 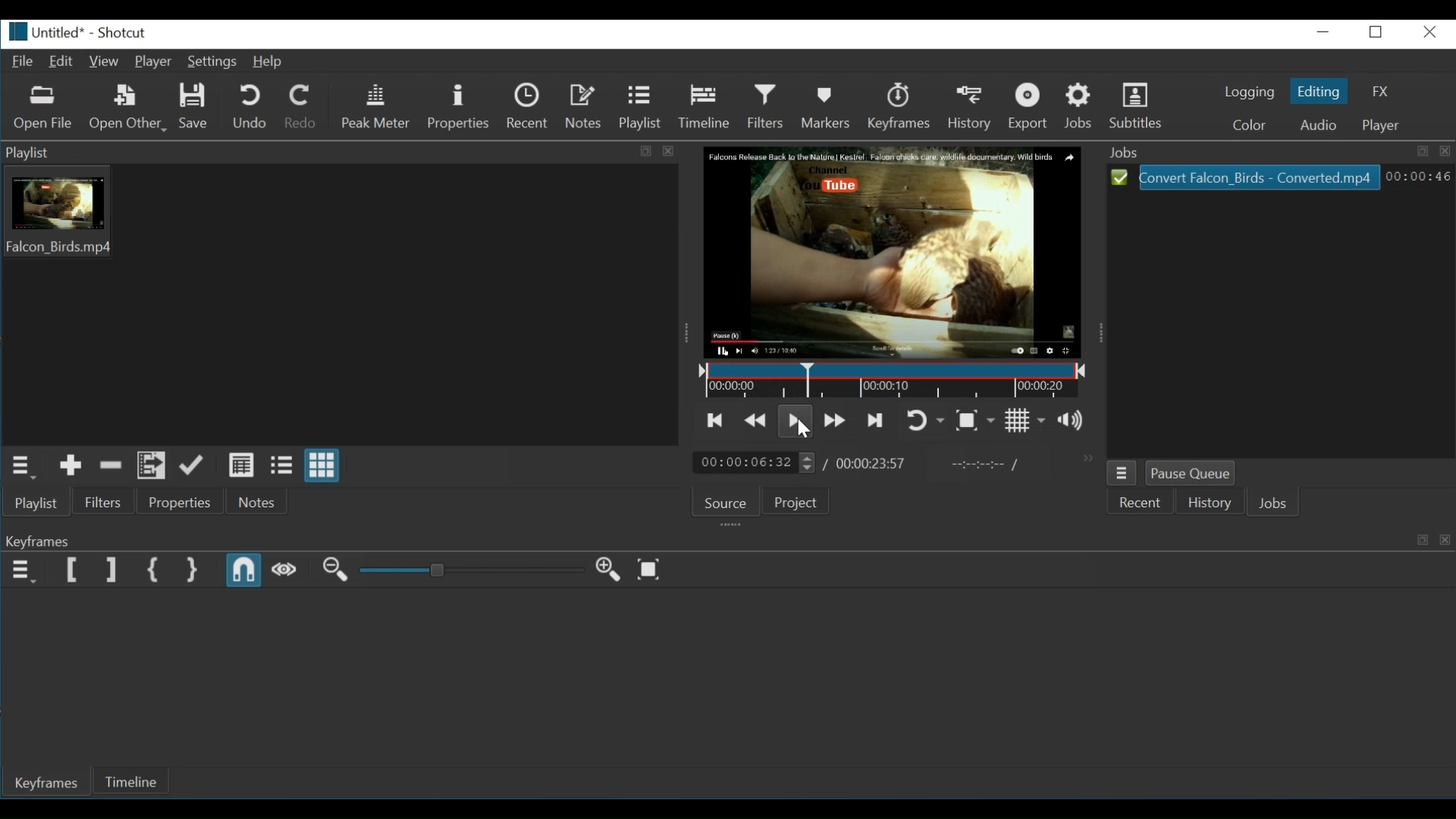 I want to click on Convert Falcon_Birds - Converted.mp4, so click(x=1260, y=176).